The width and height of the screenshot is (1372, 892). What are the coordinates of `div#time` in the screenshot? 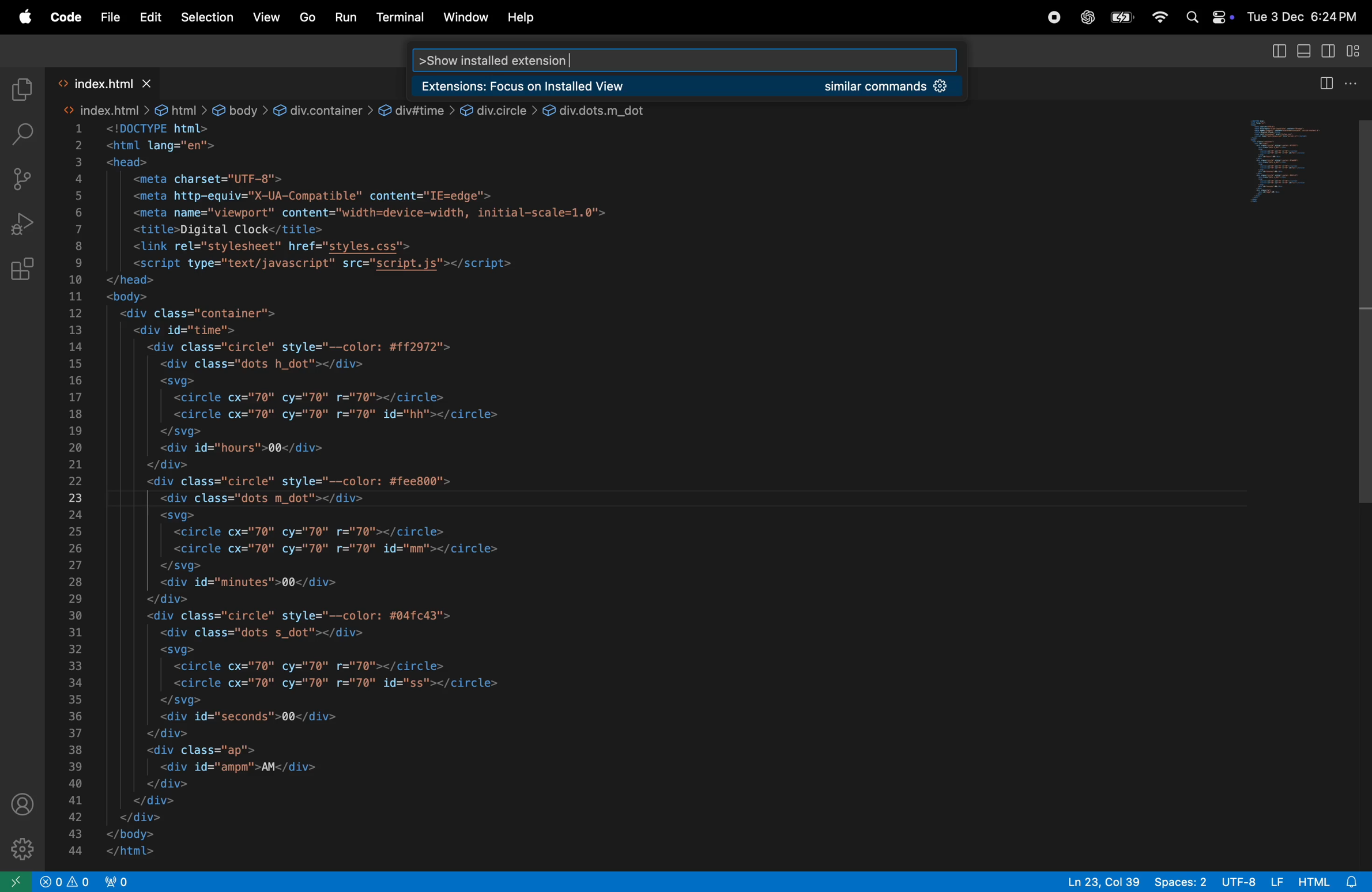 It's located at (416, 108).